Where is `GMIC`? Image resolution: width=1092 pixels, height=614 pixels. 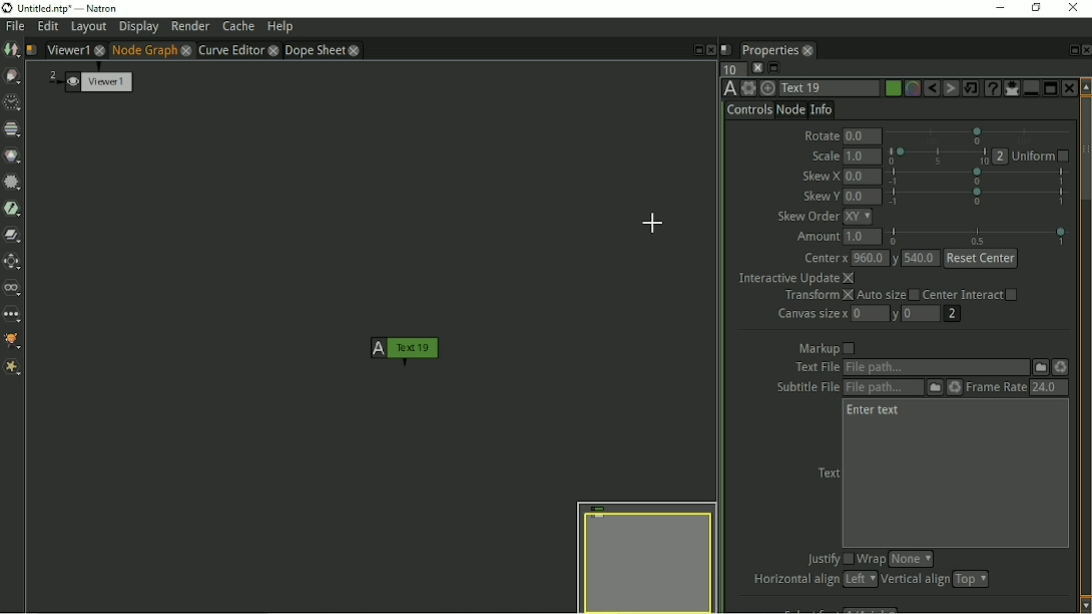
GMIC is located at coordinates (14, 340).